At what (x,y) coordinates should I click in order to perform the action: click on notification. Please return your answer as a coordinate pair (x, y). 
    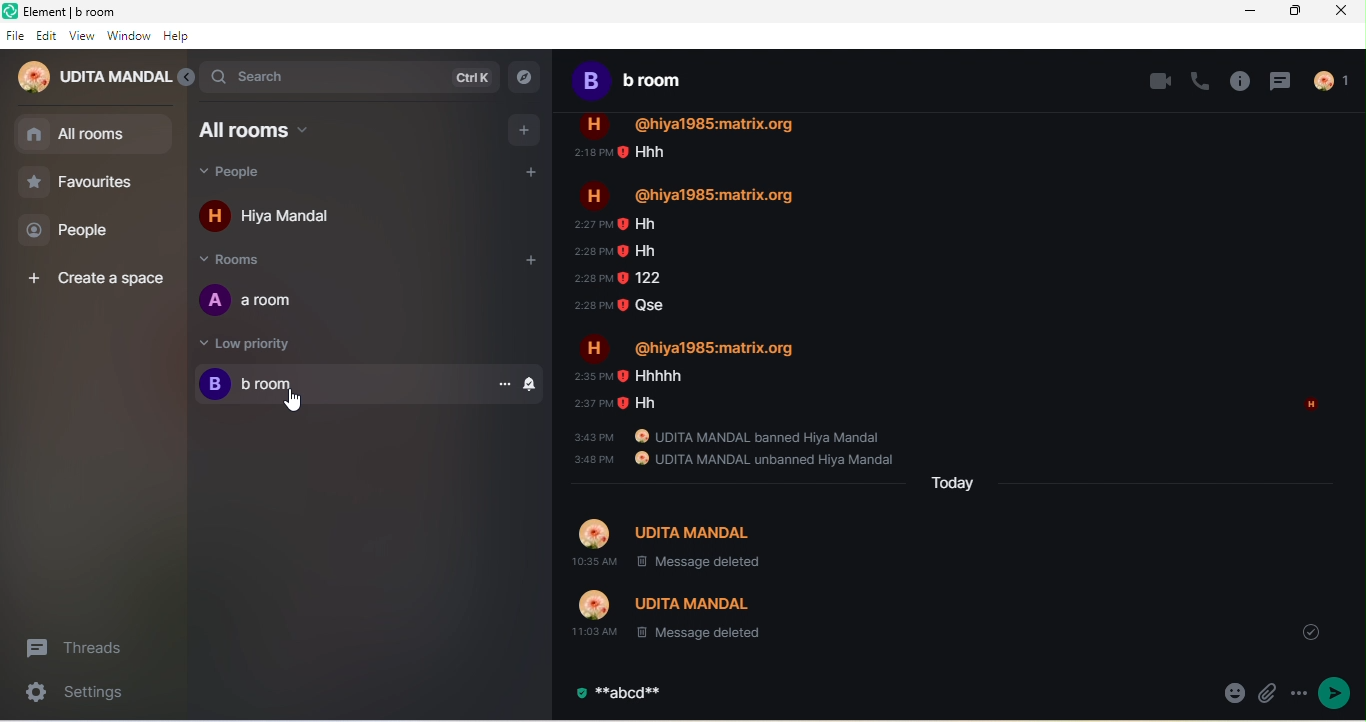
    Looking at the image, I should click on (534, 384).